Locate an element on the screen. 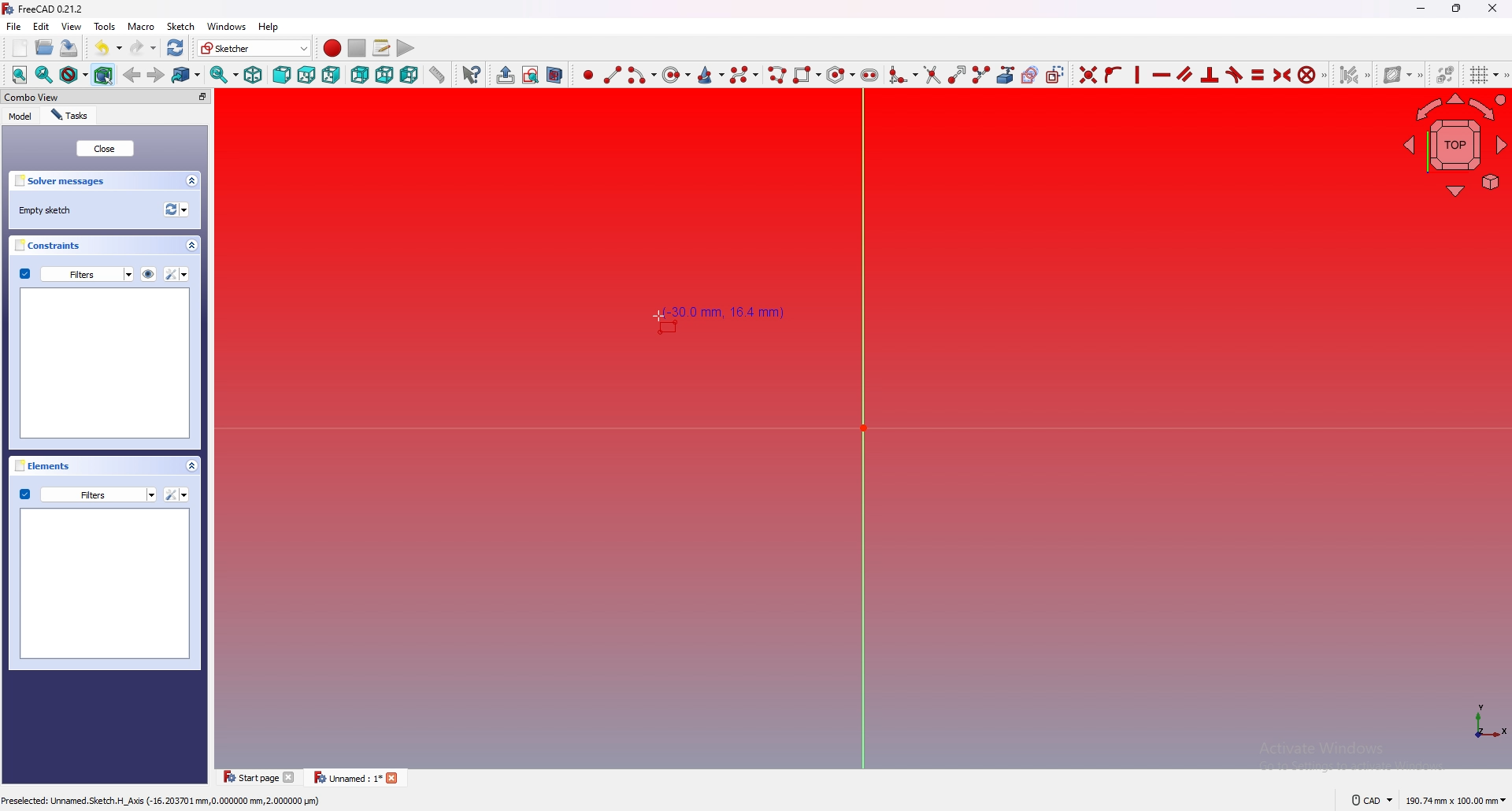  freecad is located at coordinates (46, 9).